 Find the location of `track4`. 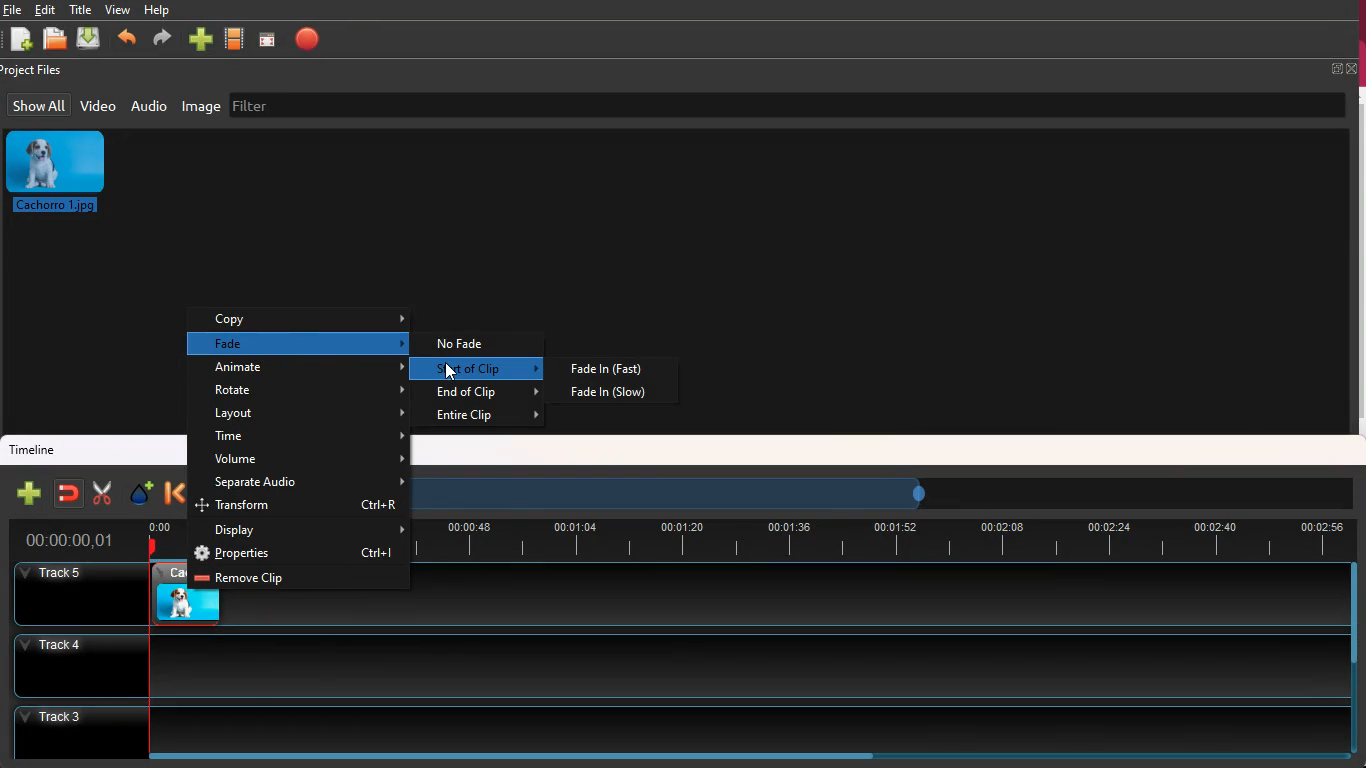

track4 is located at coordinates (655, 663).